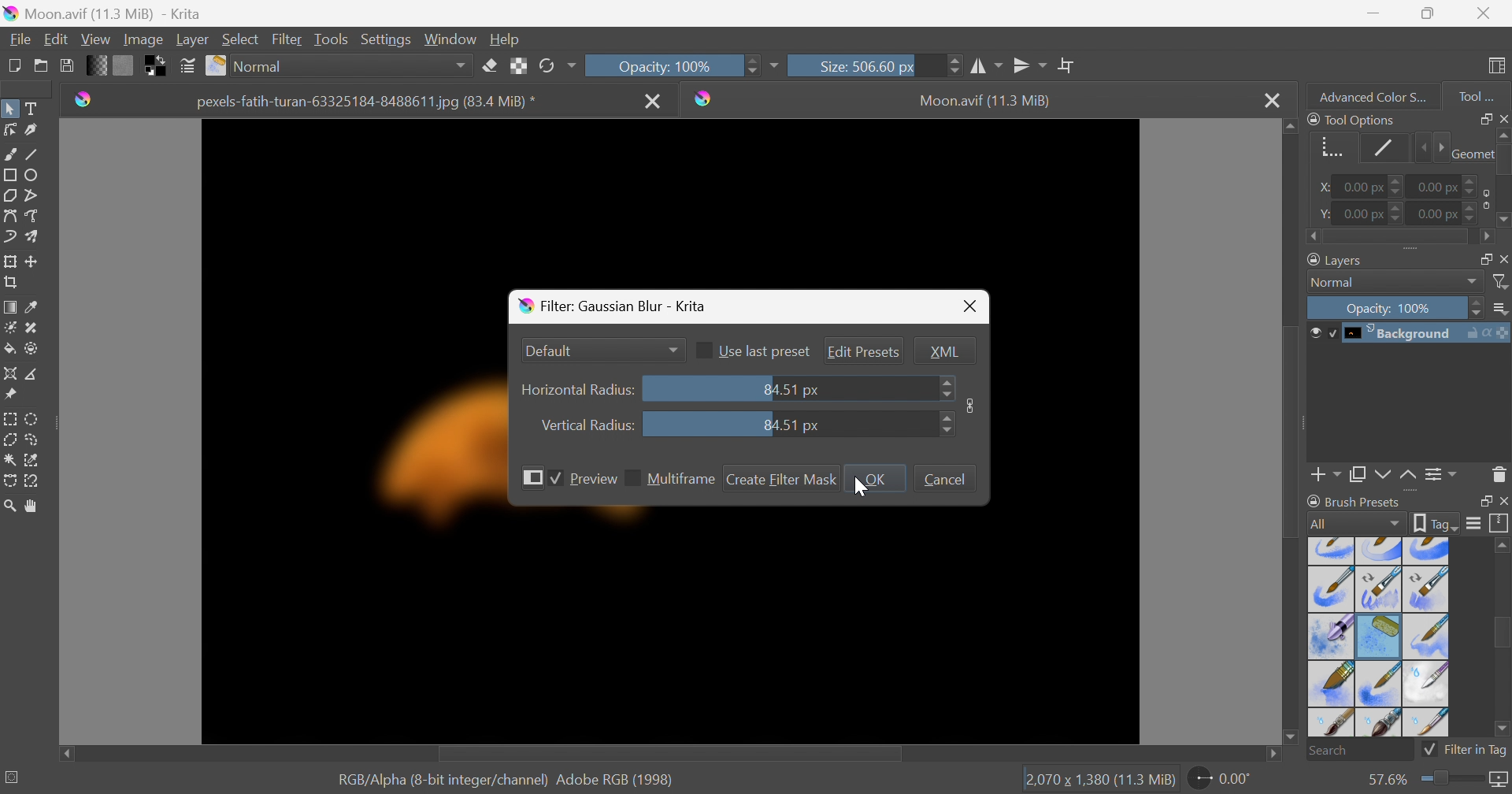 The width and height of the screenshot is (1512, 794). What do you see at coordinates (9, 129) in the screenshot?
I see `Edit shapes tool` at bounding box center [9, 129].